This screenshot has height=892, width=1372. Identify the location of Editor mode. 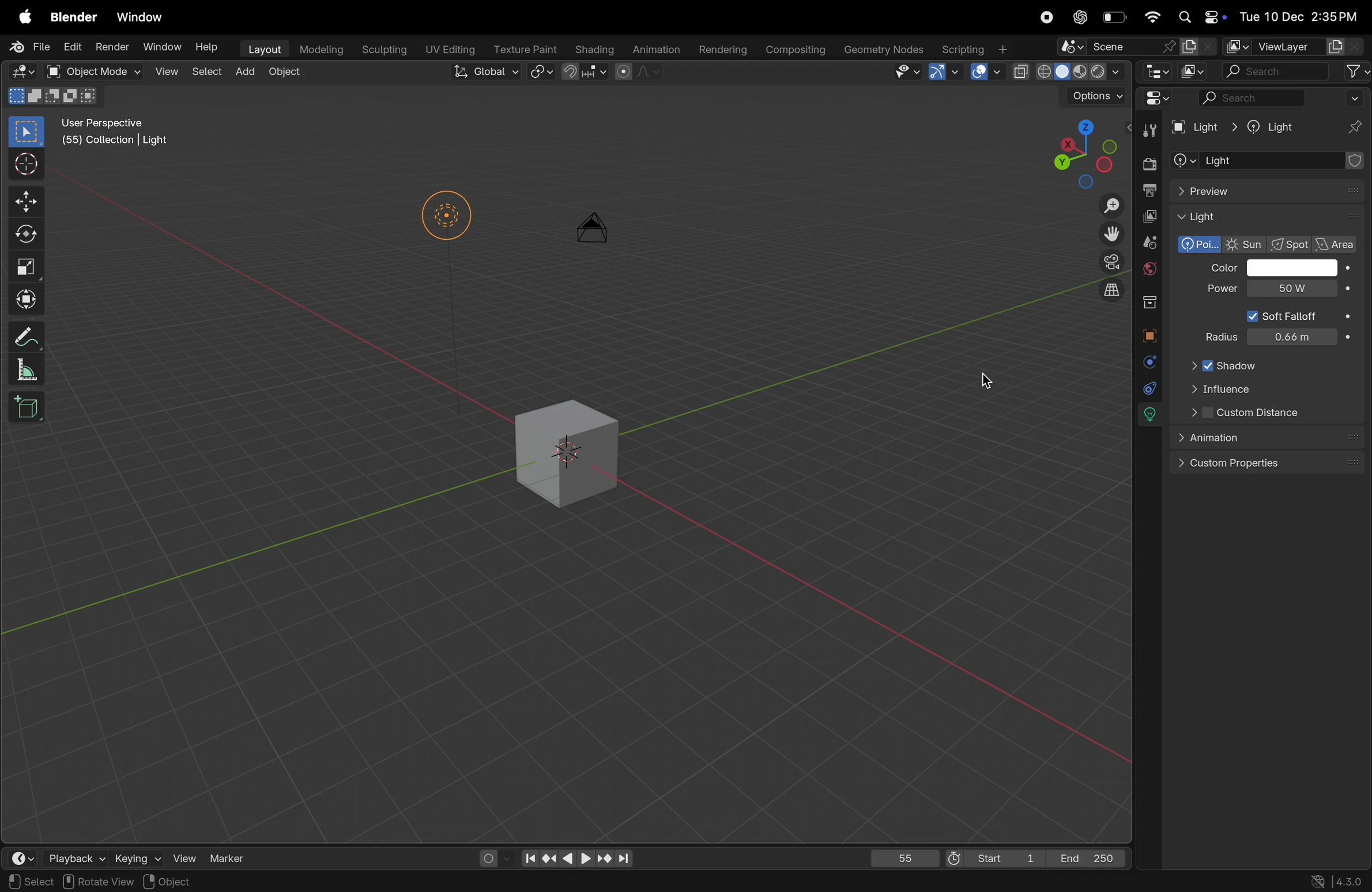
(22, 71).